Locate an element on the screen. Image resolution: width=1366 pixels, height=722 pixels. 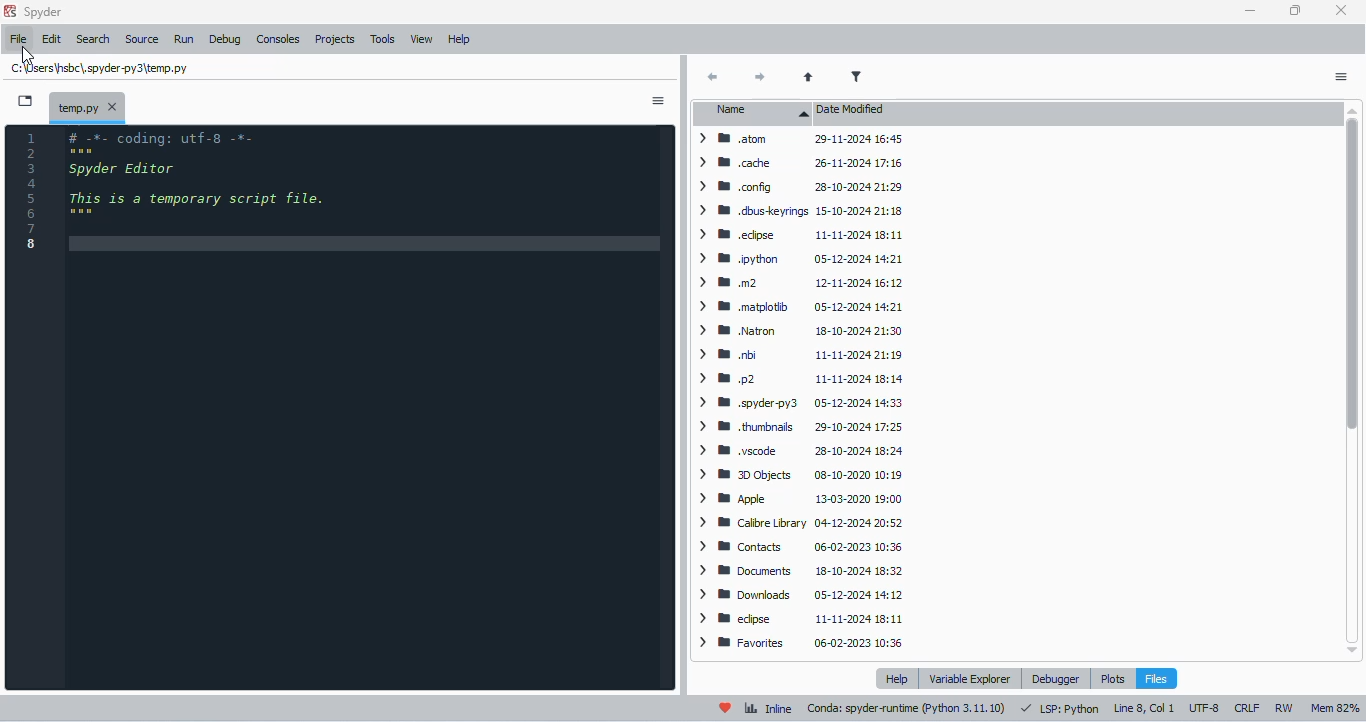
CRLF is located at coordinates (1247, 708).